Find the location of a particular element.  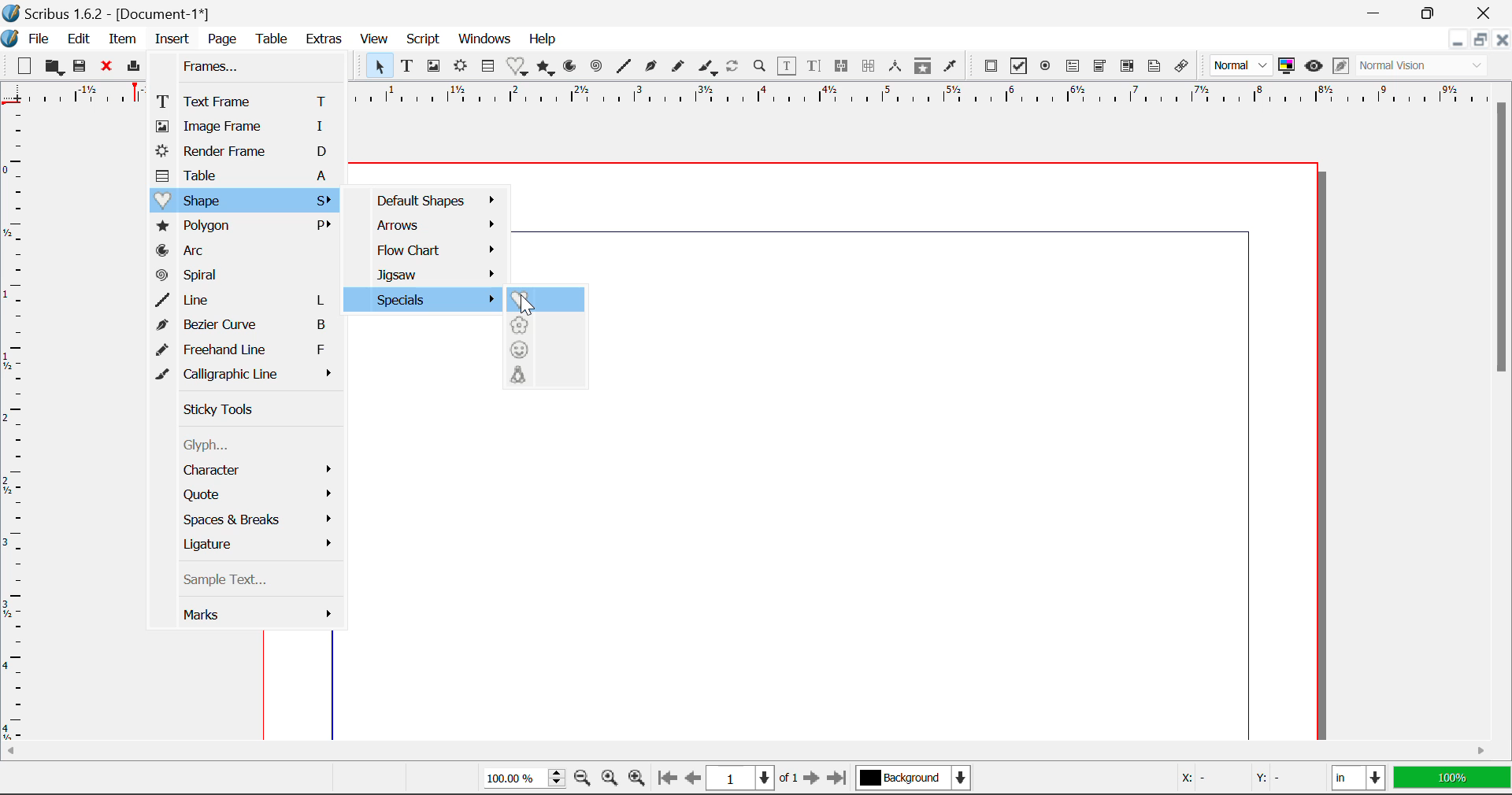

Bezier Curve is located at coordinates (250, 327).